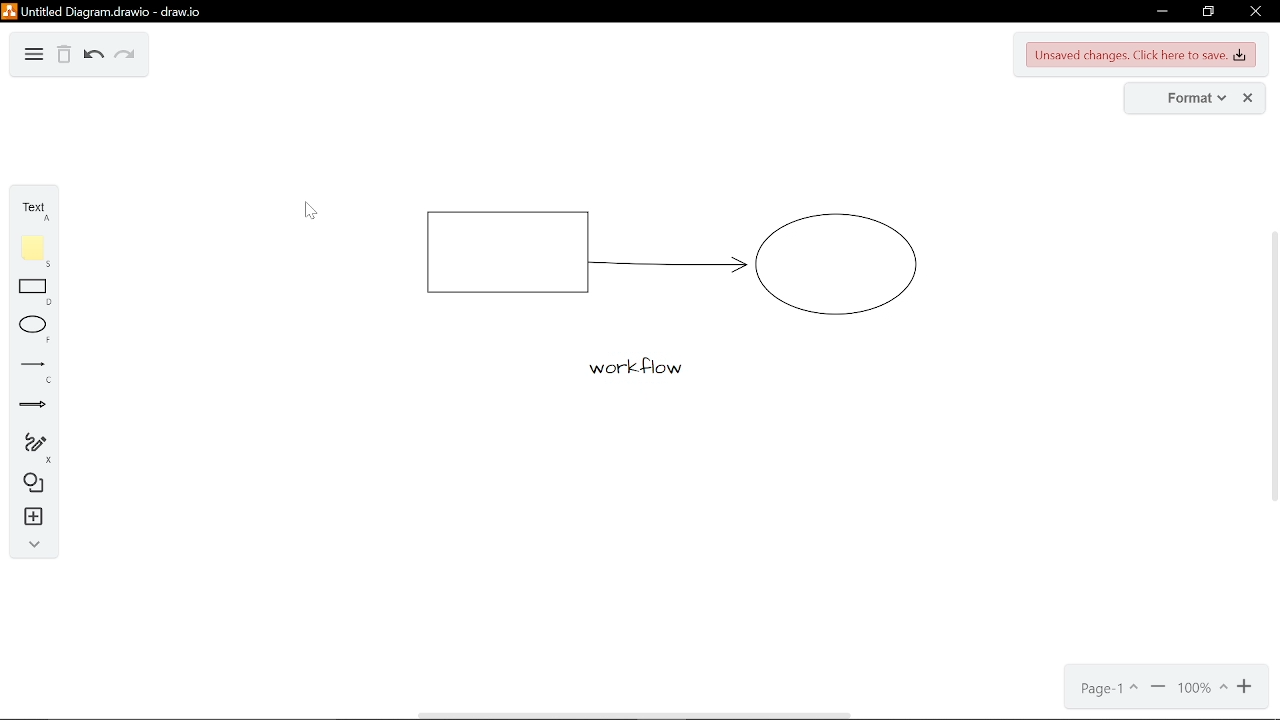 This screenshot has height=720, width=1280. Describe the element at coordinates (37, 330) in the screenshot. I see `ellipse` at that location.